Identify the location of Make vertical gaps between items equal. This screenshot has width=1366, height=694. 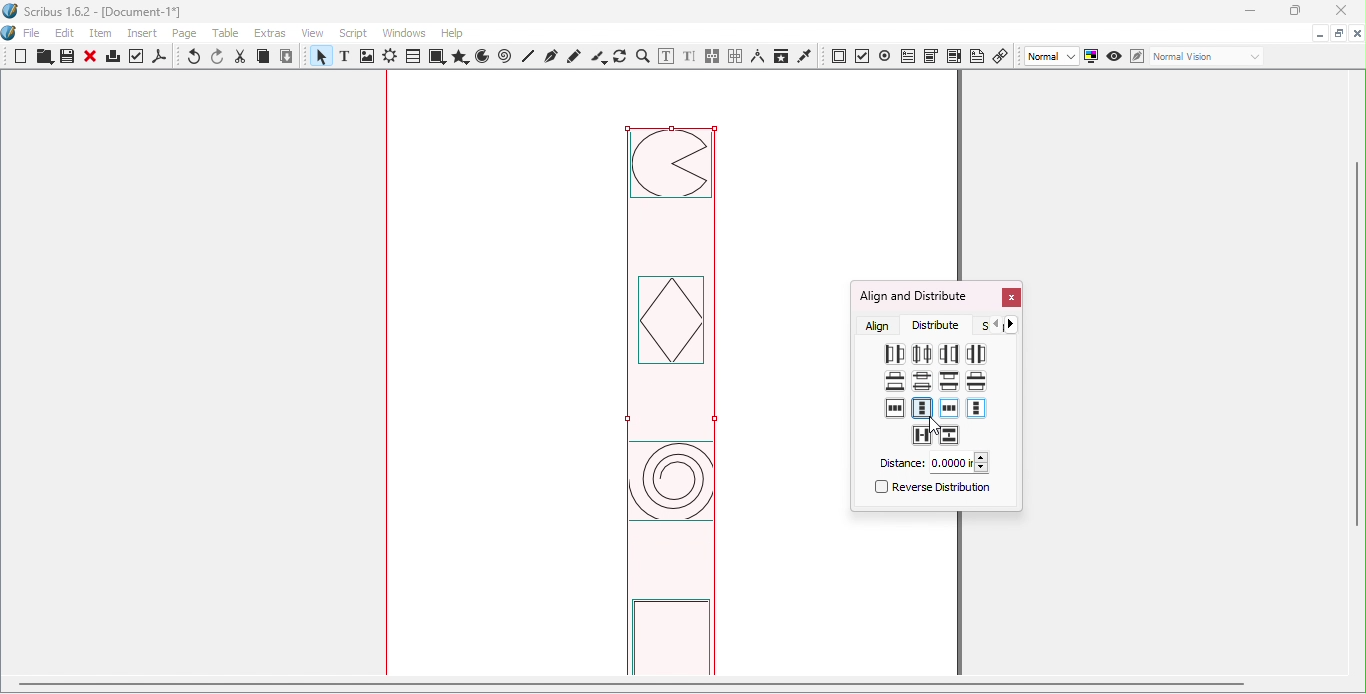
(975, 380).